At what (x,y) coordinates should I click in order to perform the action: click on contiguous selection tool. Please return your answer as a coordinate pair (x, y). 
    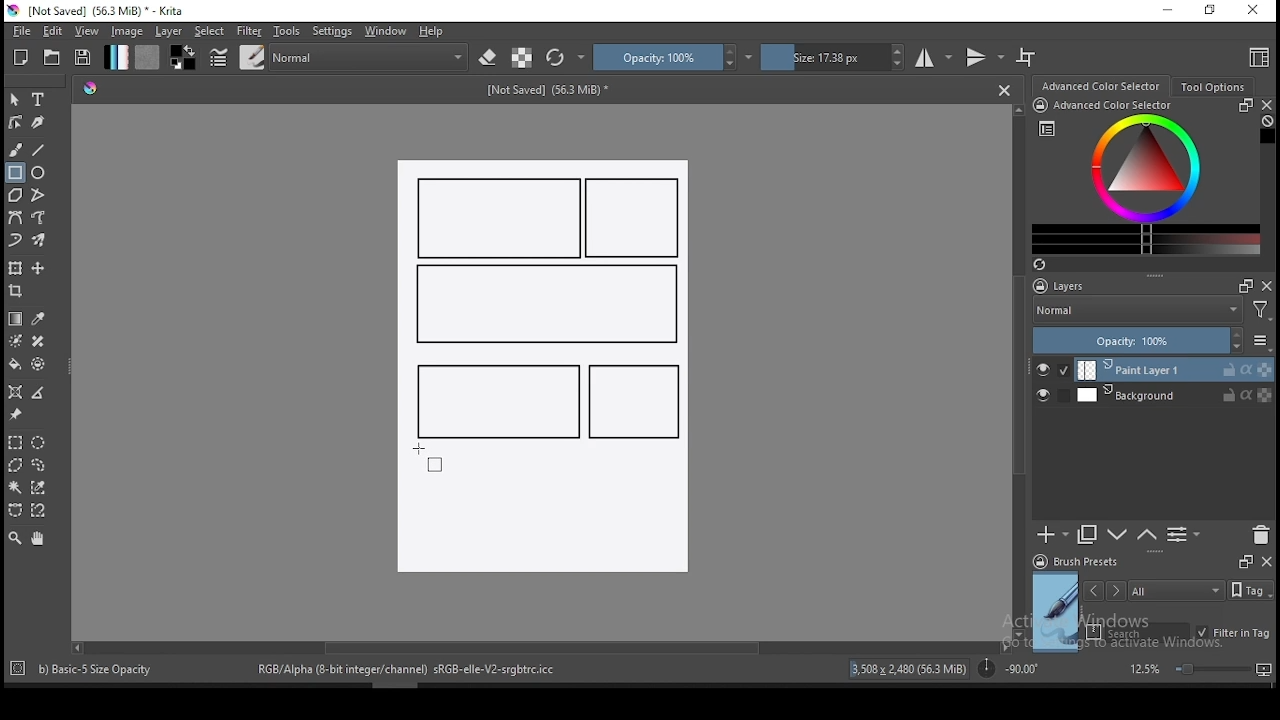
    Looking at the image, I should click on (16, 489).